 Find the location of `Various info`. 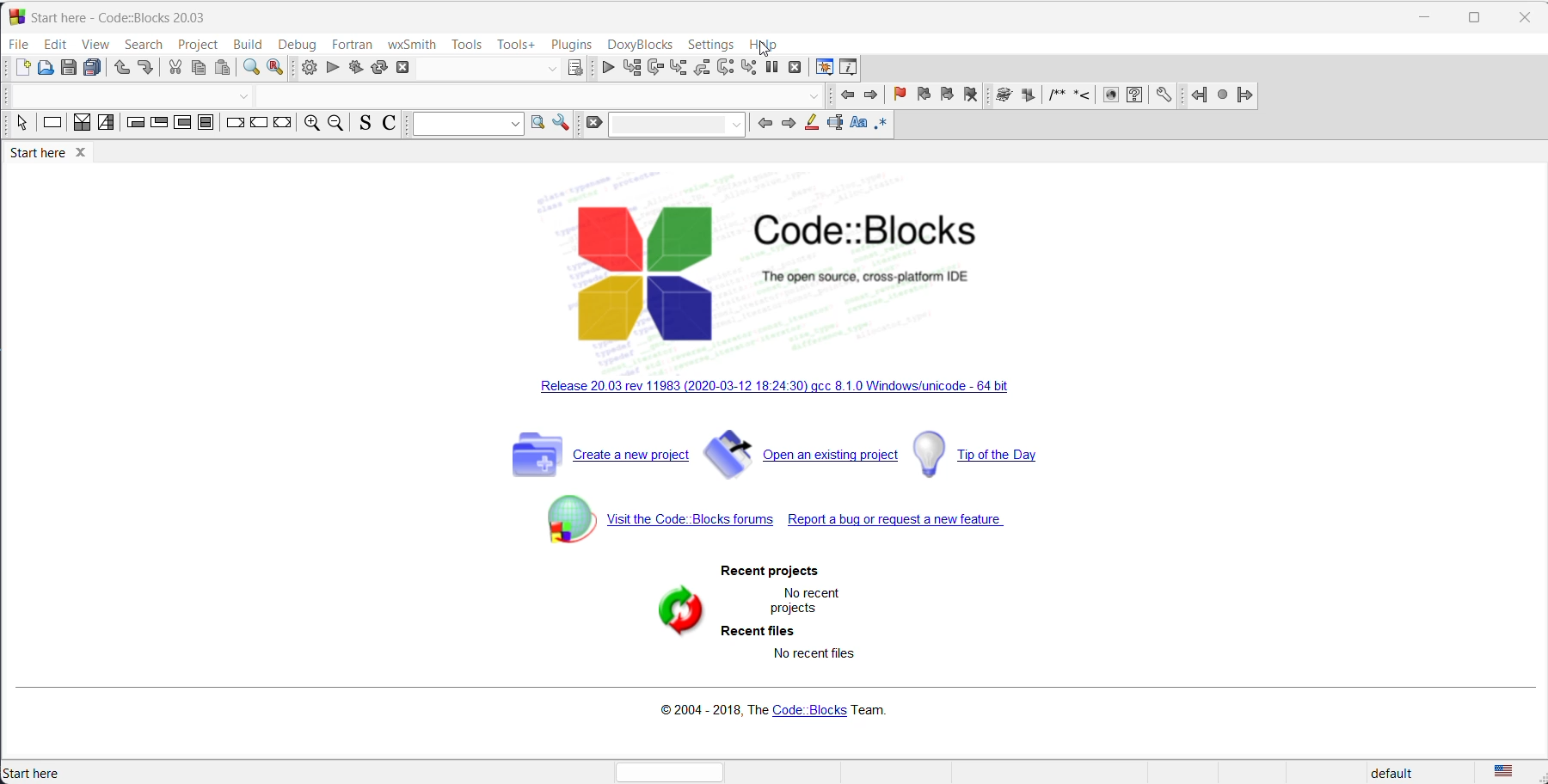

Various info is located at coordinates (850, 67).